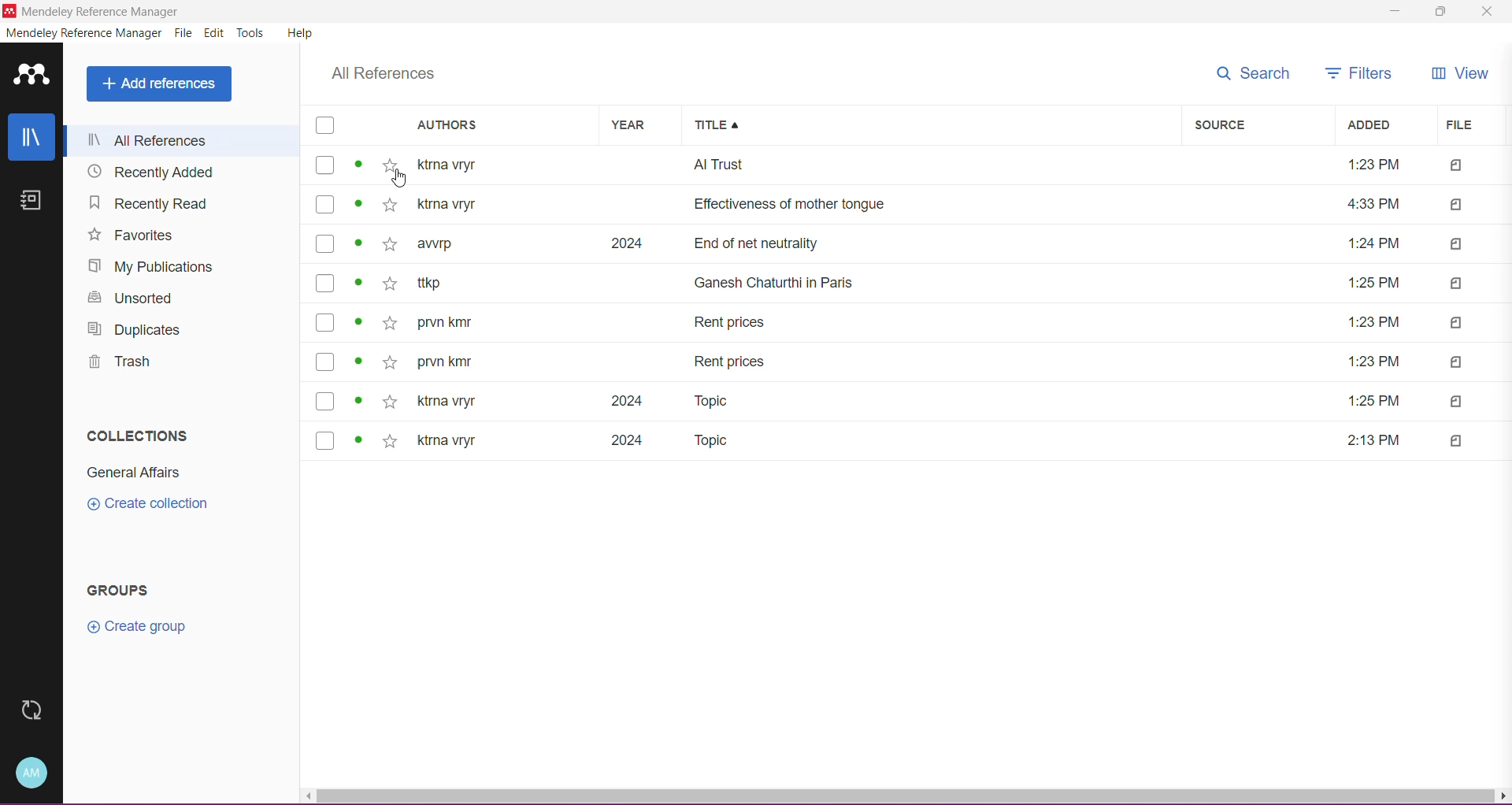 The image size is (1512, 805). I want to click on Select all, so click(325, 125).